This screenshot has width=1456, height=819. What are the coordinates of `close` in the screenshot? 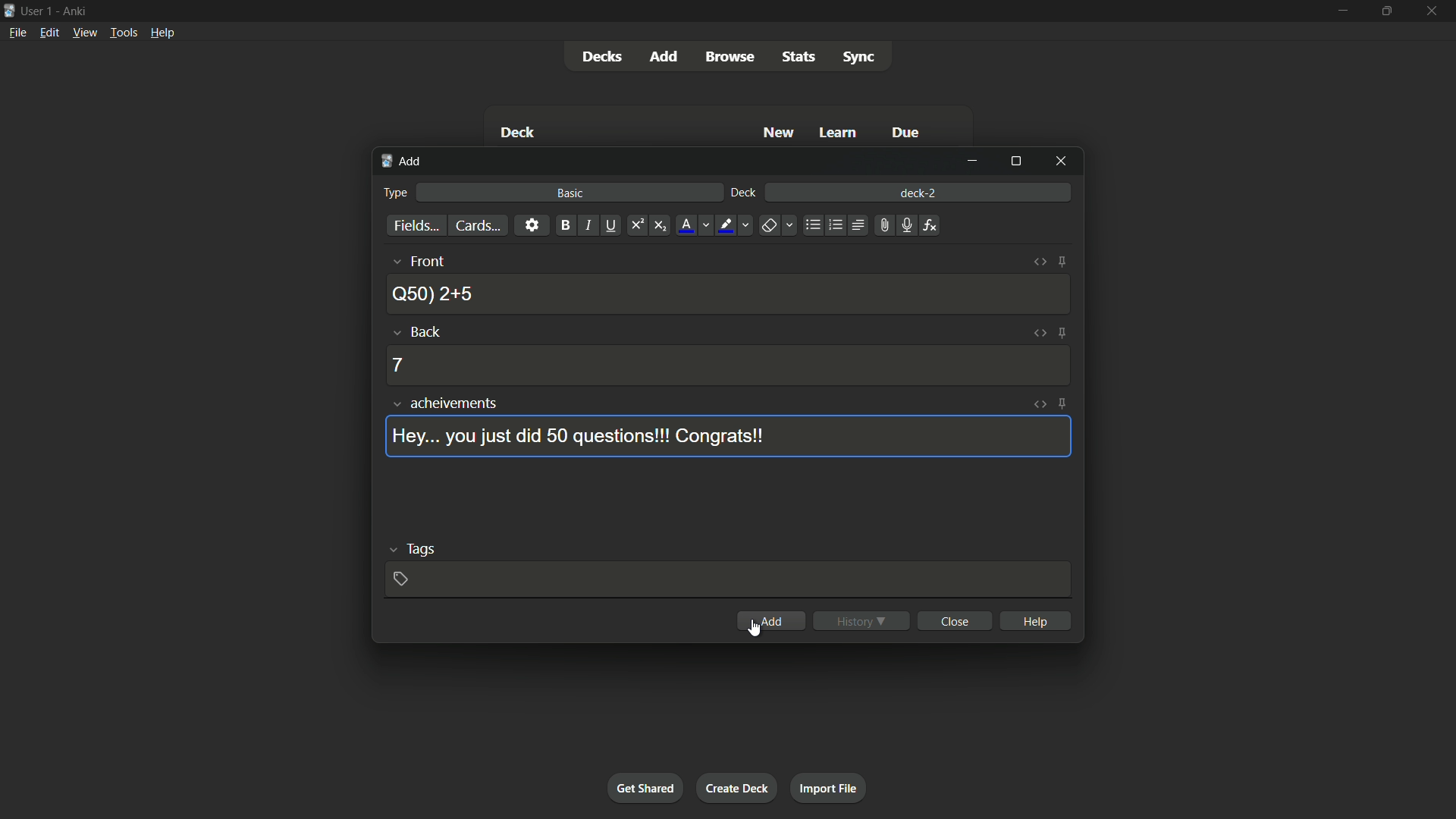 It's located at (954, 620).